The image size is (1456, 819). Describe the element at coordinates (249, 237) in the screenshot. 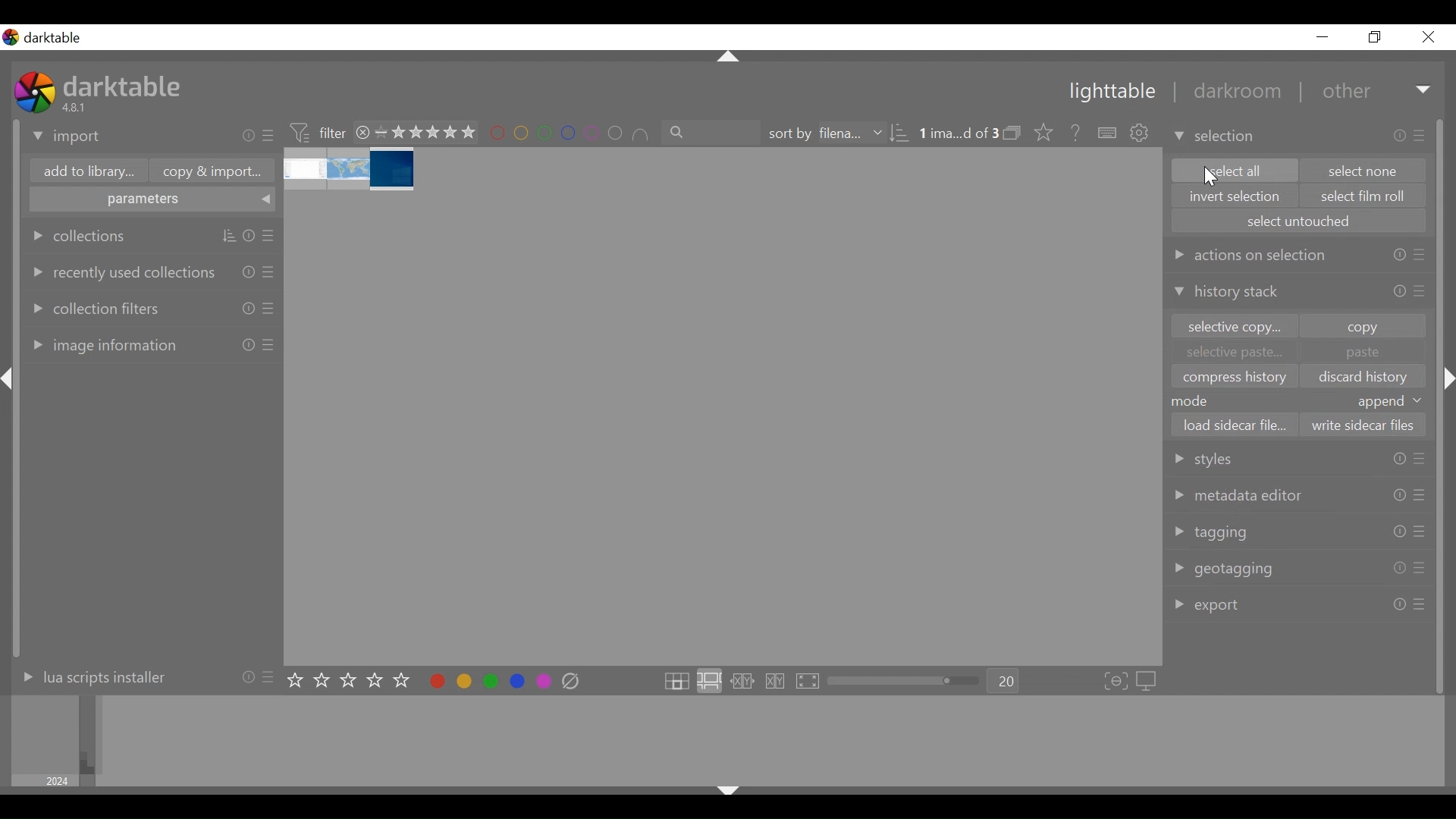

I see `info` at that location.